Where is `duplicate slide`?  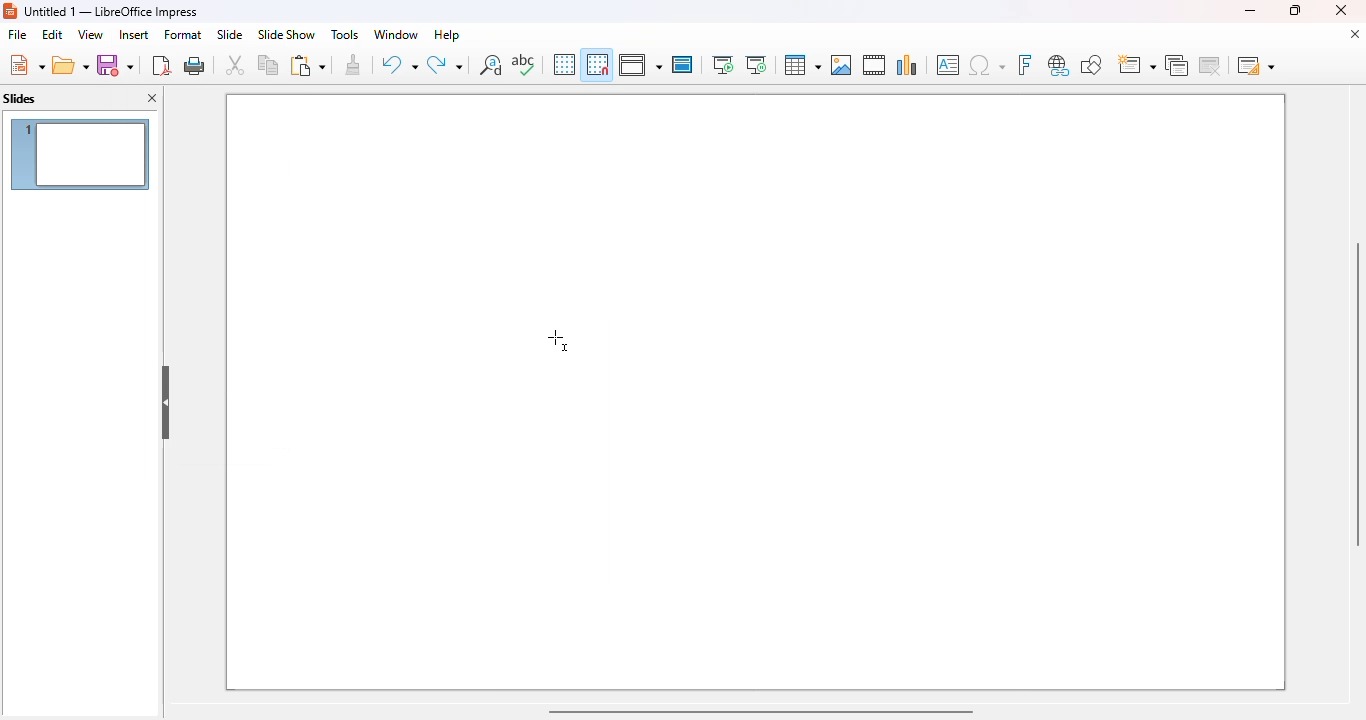 duplicate slide is located at coordinates (1177, 65).